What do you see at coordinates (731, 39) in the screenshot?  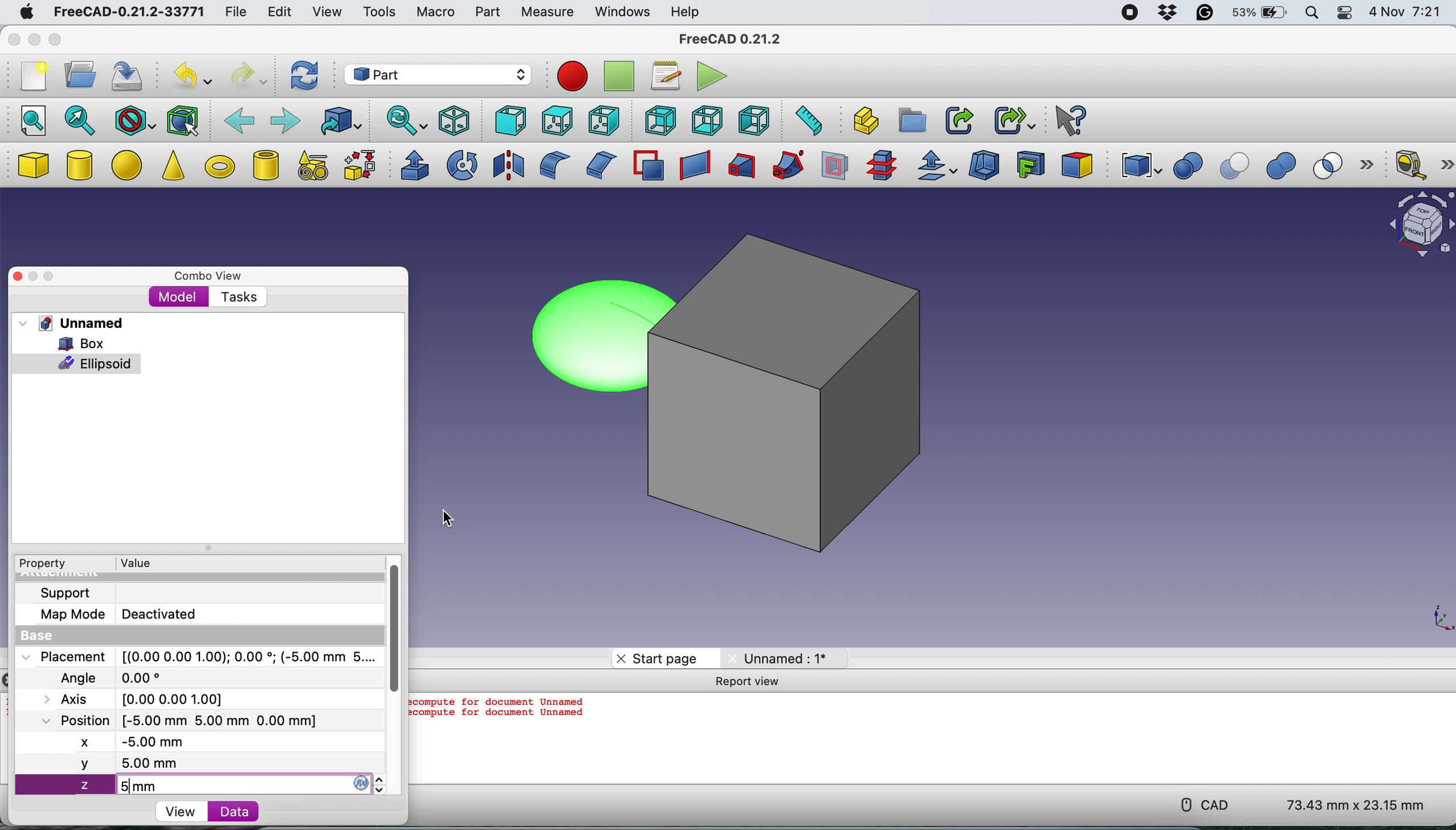 I see `FreeCAD 0.21.2` at bounding box center [731, 39].